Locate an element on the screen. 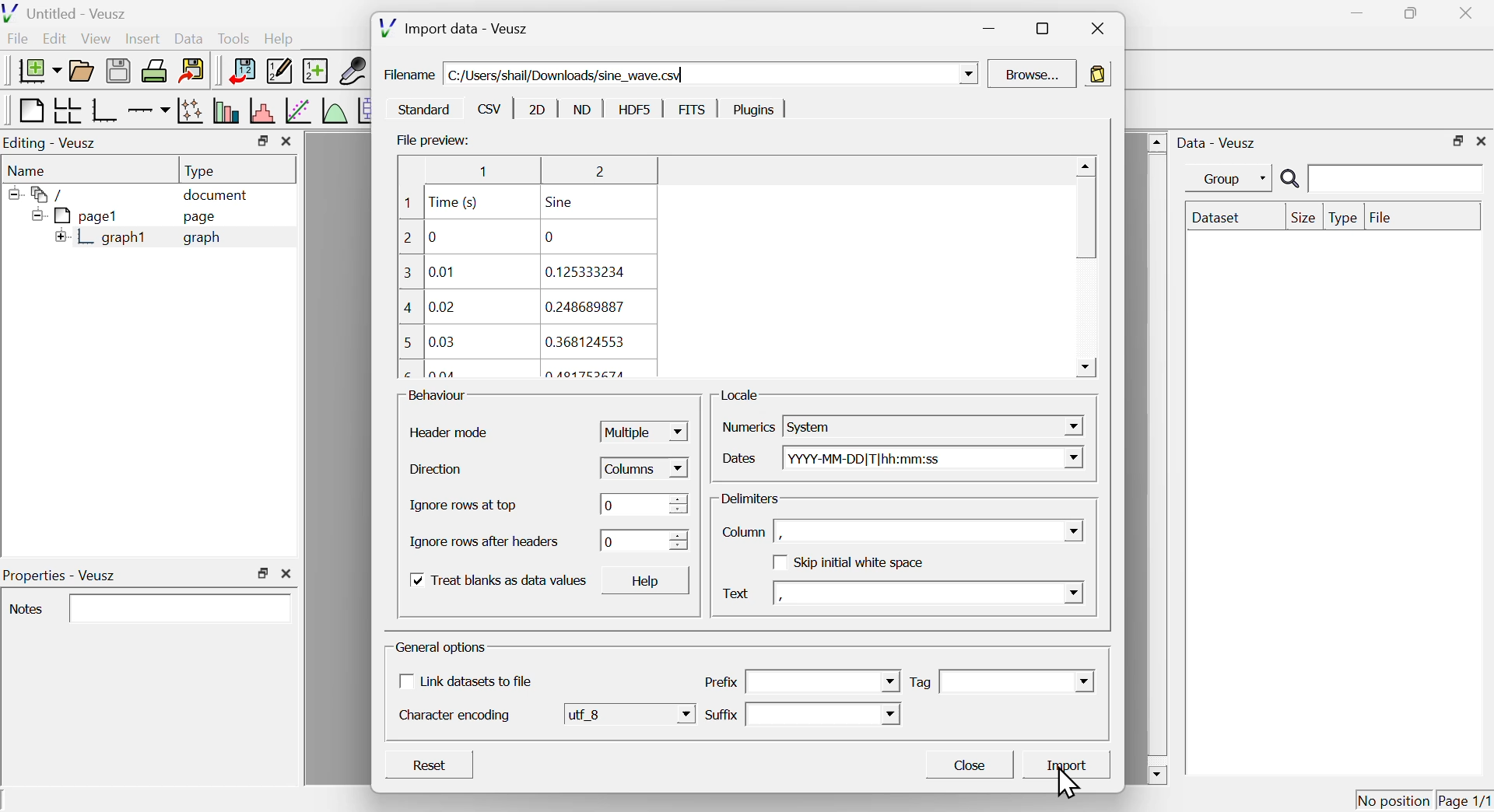 This screenshot has width=1494, height=812. plot points with lines and errorbars is located at coordinates (190, 110).